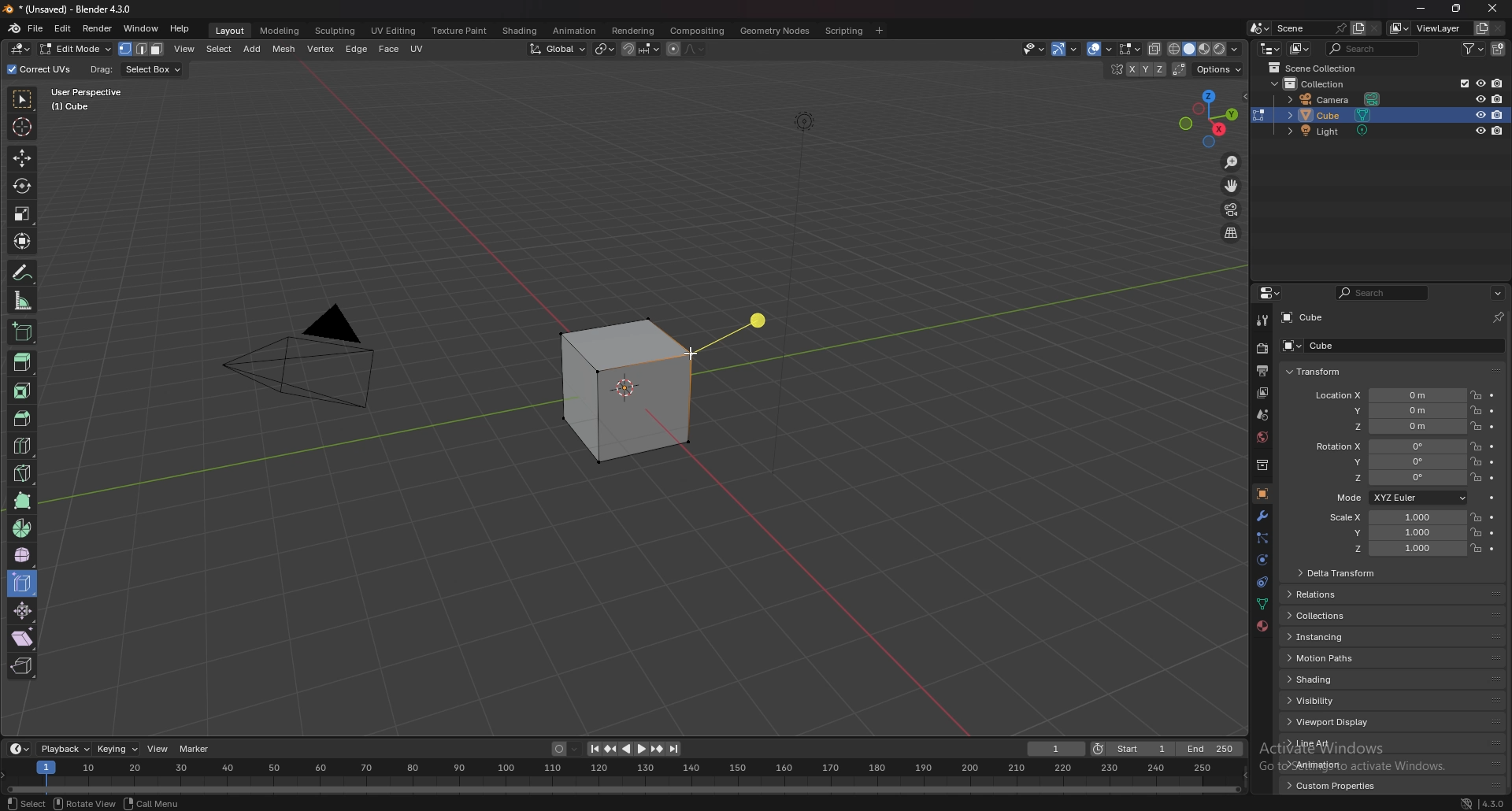 This screenshot has width=1512, height=811. I want to click on correct uvs, so click(41, 69).